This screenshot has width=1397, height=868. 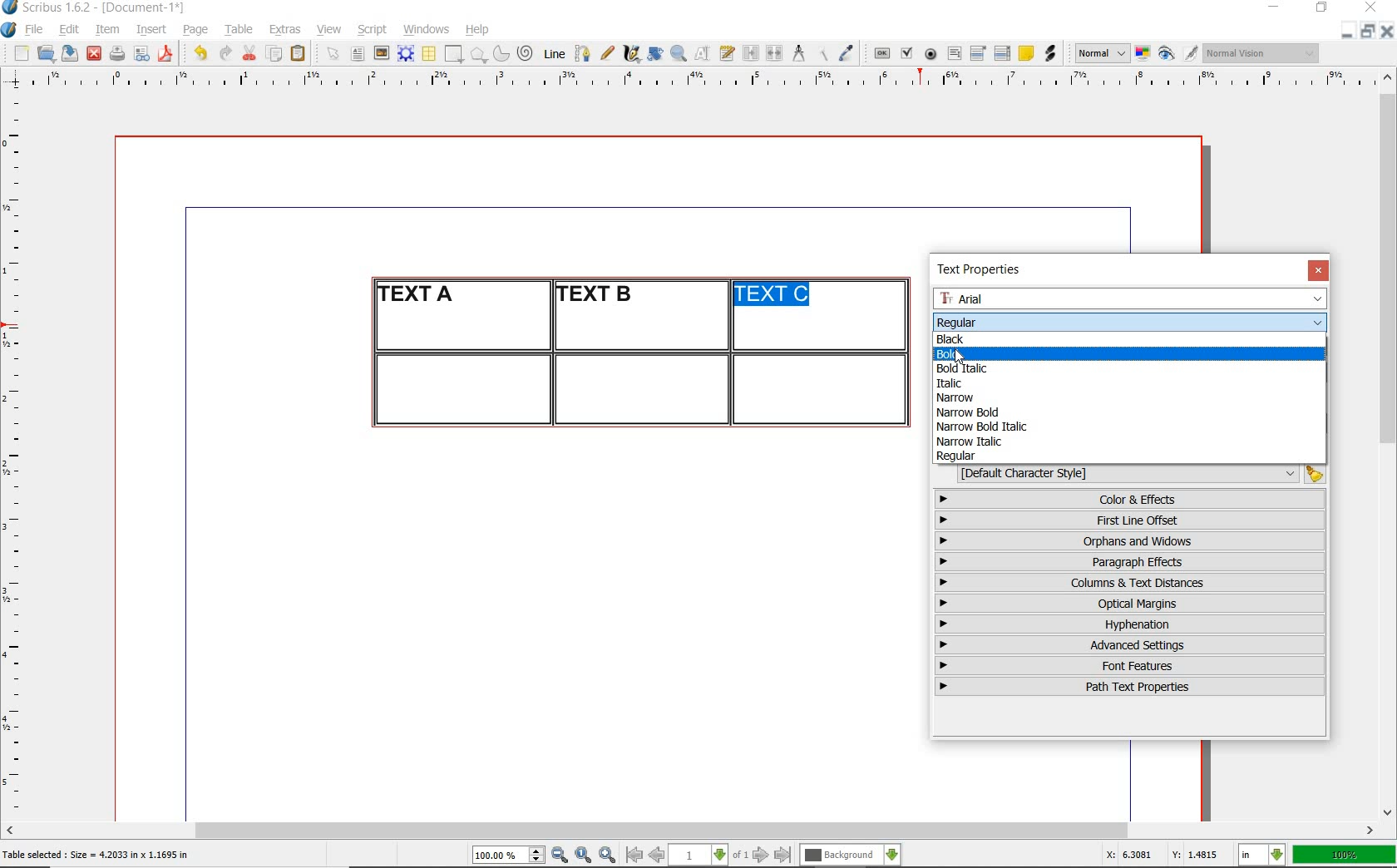 I want to click on font family, so click(x=1132, y=298).